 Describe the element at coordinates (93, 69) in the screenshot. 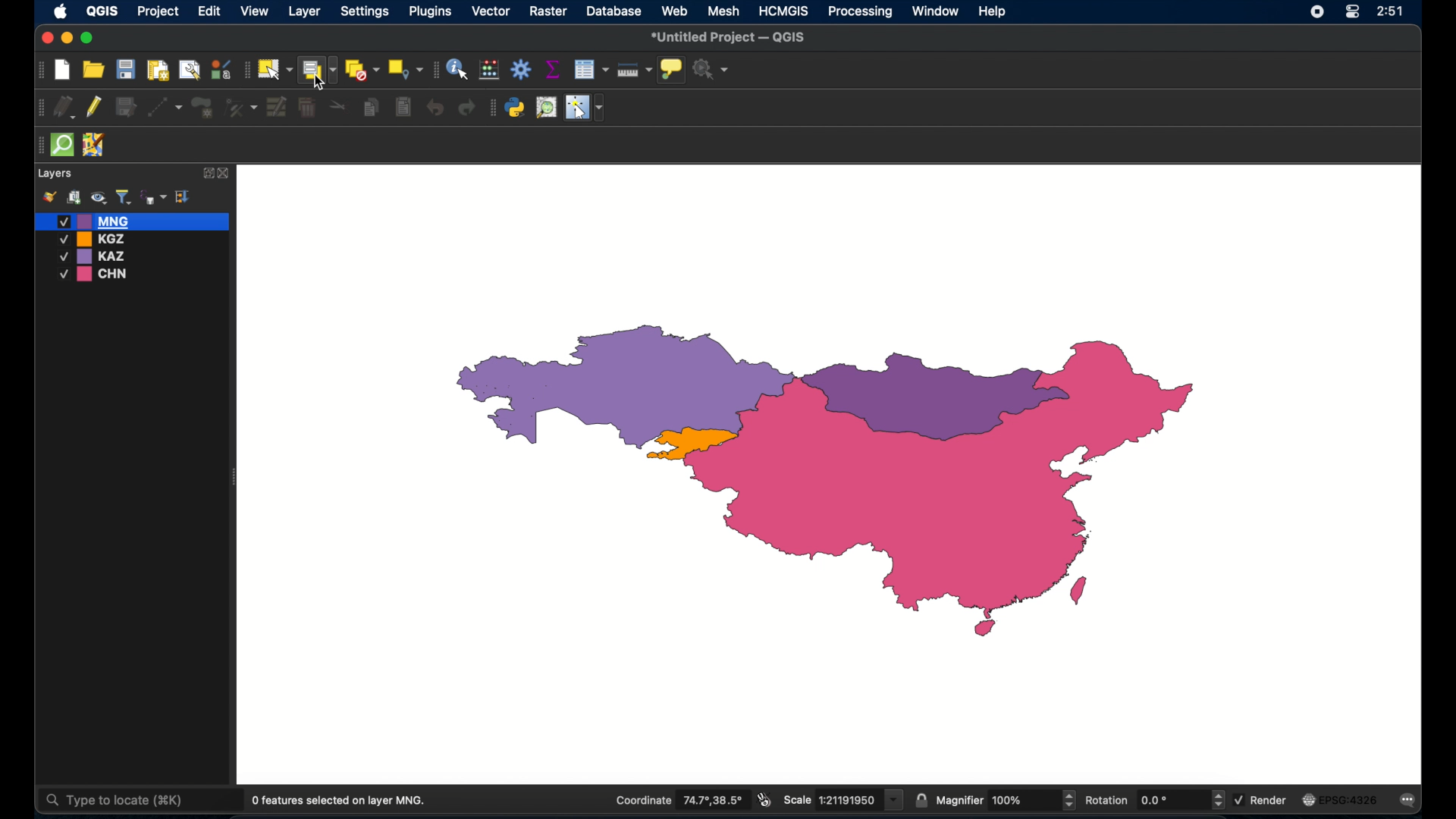

I see `open project` at that location.